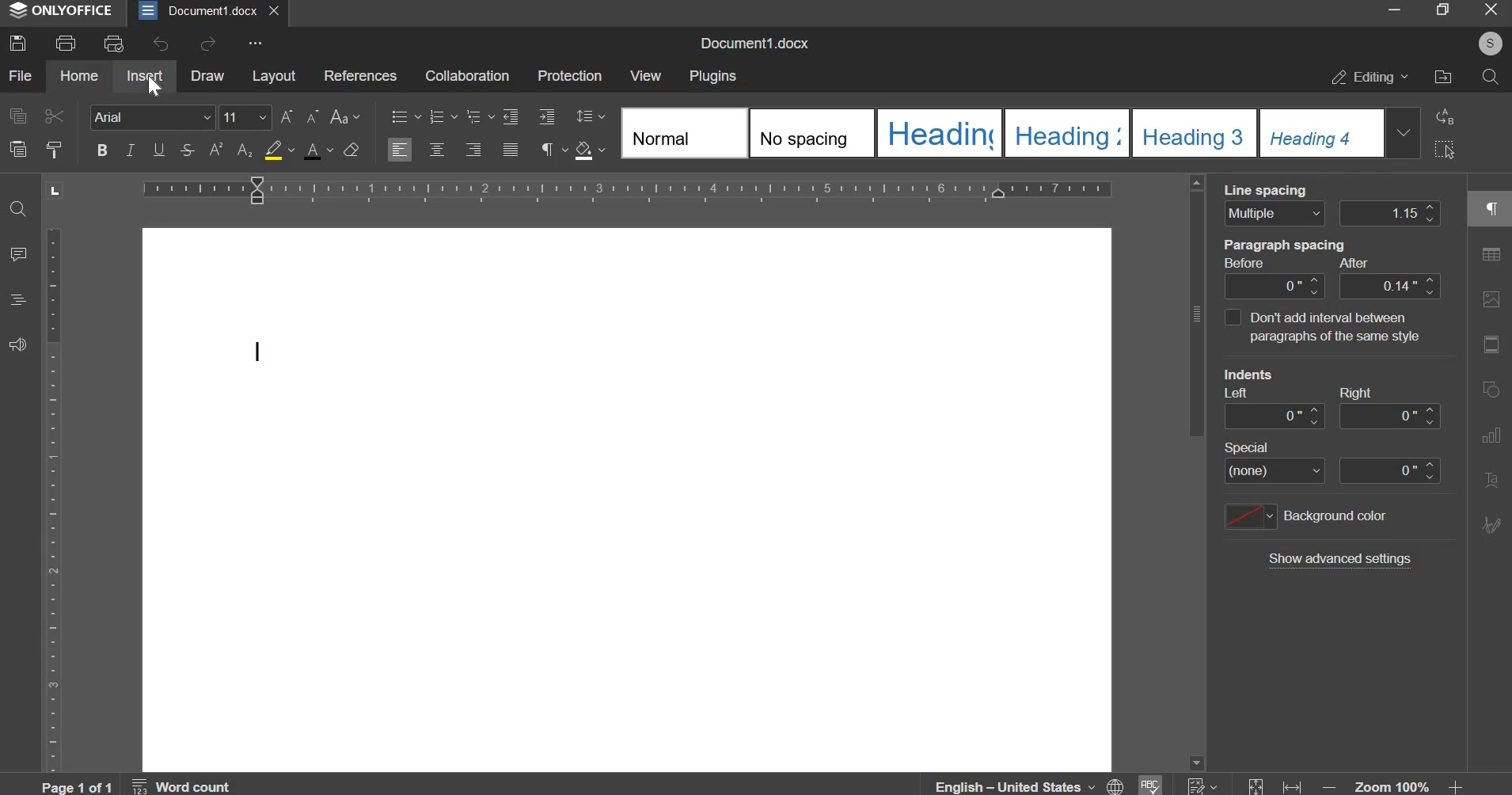 The height and width of the screenshot is (795, 1512). What do you see at coordinates (230, 149) in the screenshot?
I see `subscript & superscript` at bounding box center [230, 149].